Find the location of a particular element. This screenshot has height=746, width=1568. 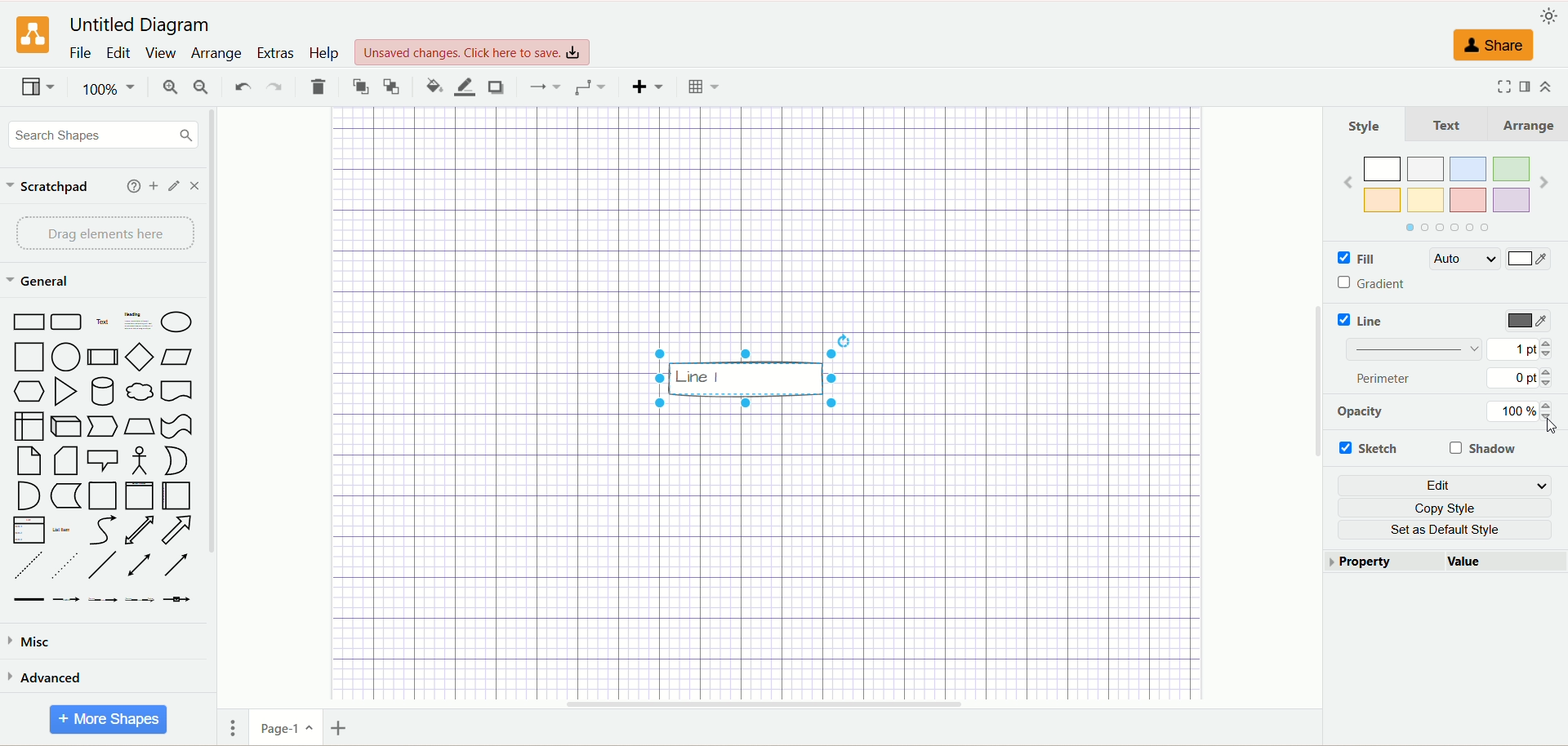

United Diagram is located at coordinates (140, 25).